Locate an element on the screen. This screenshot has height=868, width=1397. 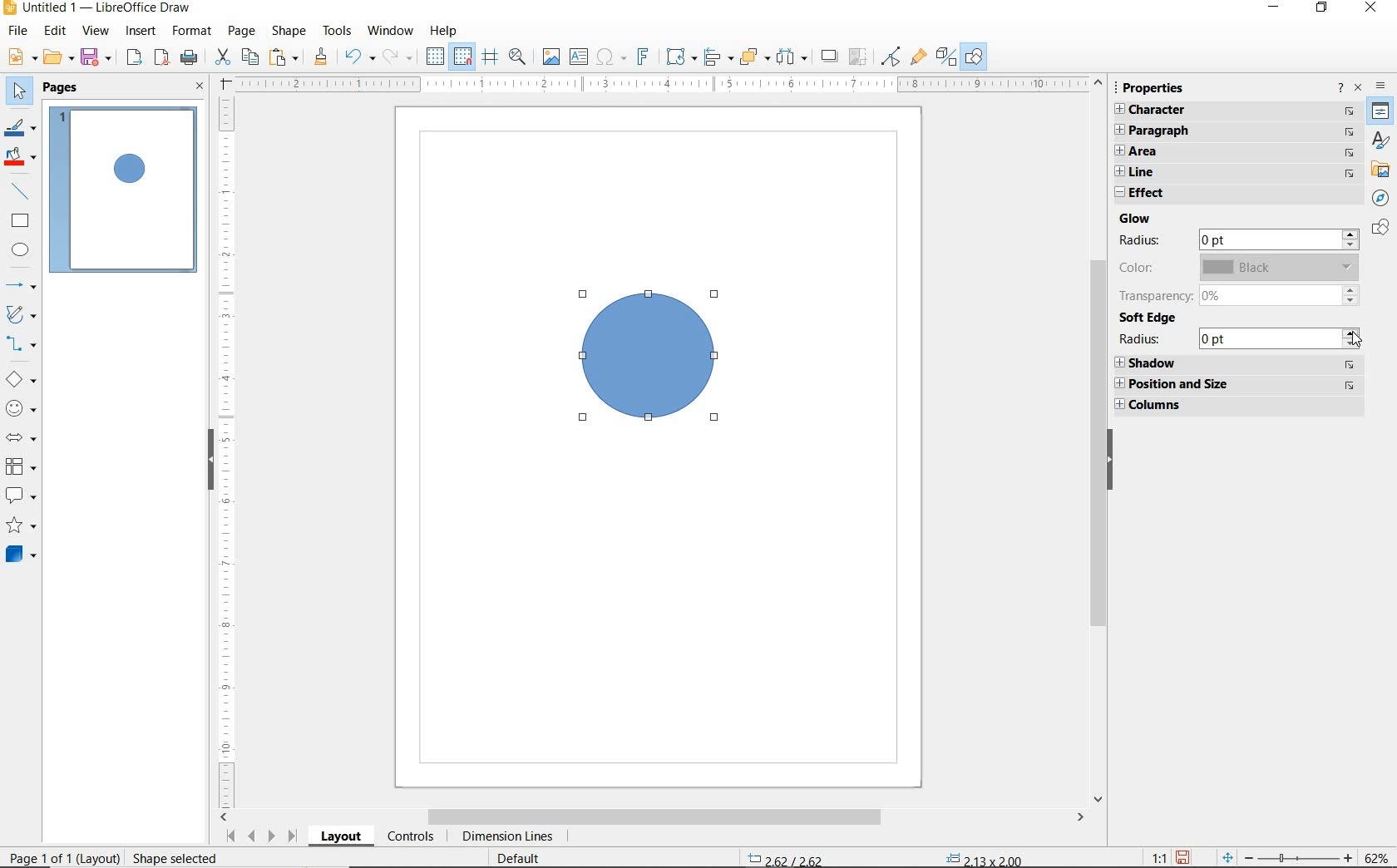
Shapes is located at coordinates (1380, 230).